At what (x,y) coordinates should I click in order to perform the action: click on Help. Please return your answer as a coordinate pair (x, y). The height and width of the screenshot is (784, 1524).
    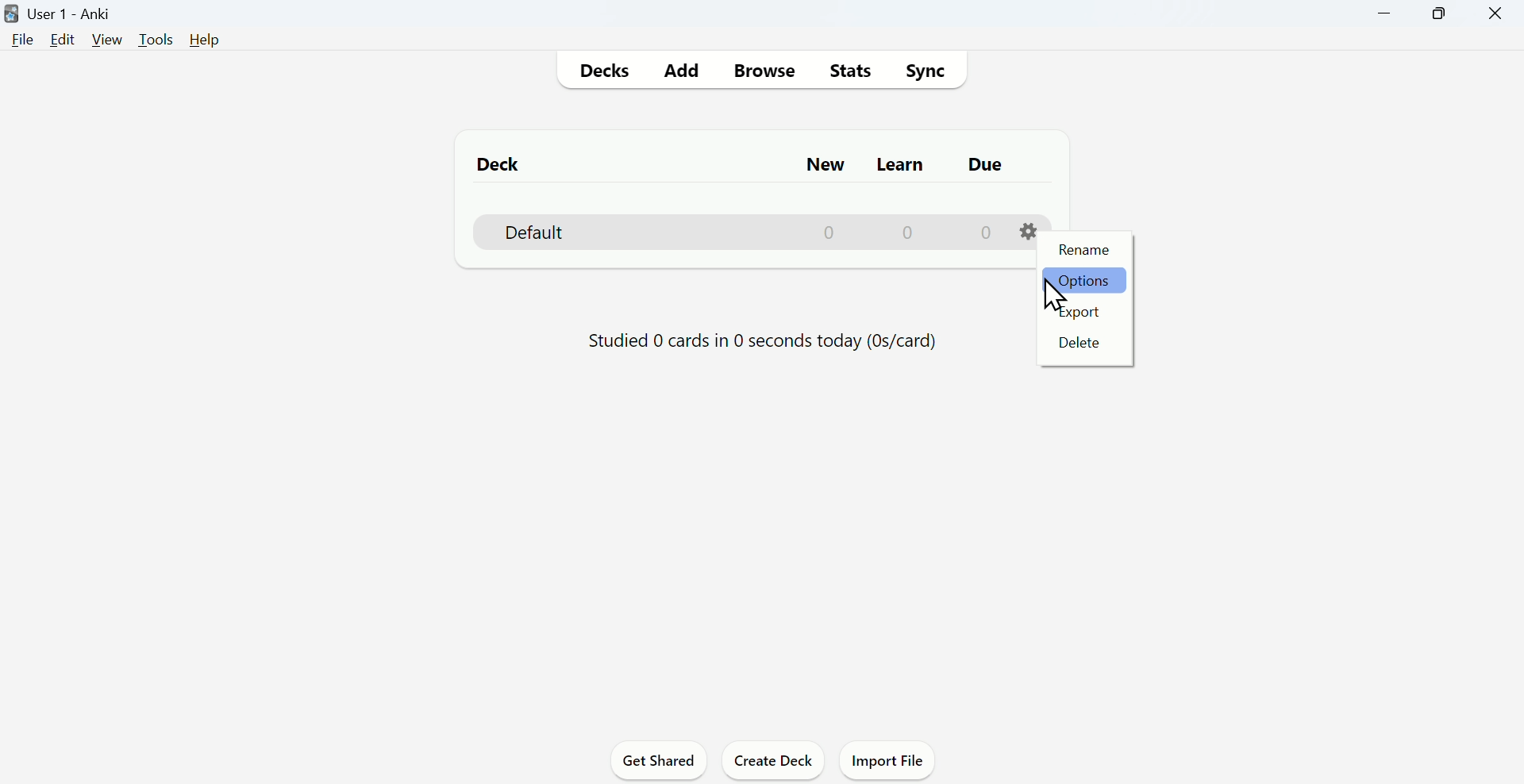
    Looking at the image, I should click on (202, 40).